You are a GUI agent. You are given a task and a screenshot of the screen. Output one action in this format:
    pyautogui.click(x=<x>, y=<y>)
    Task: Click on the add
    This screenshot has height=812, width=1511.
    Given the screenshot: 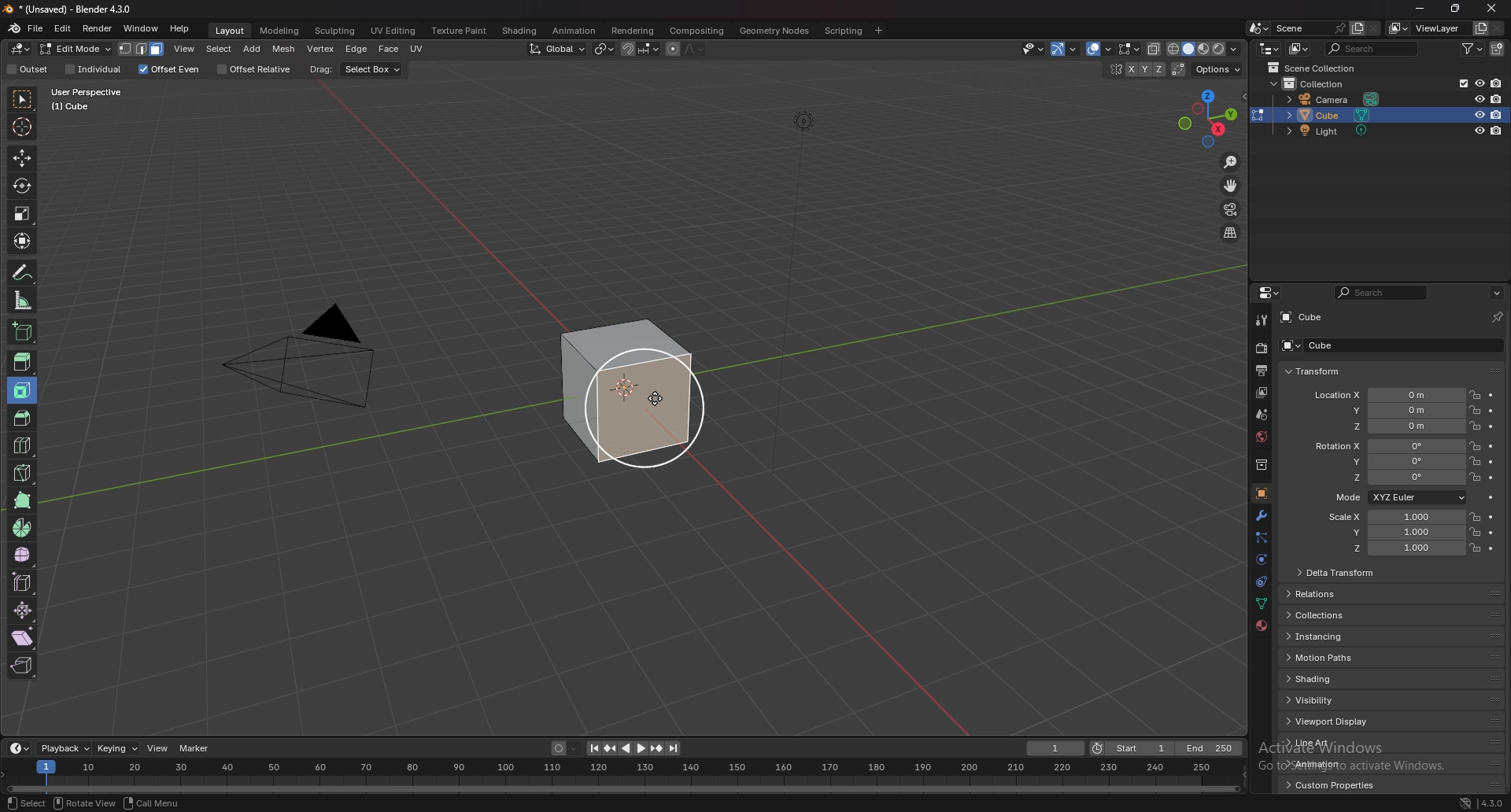 What is the action you would take?
    pyautogui.click(x=253, y=49)
    